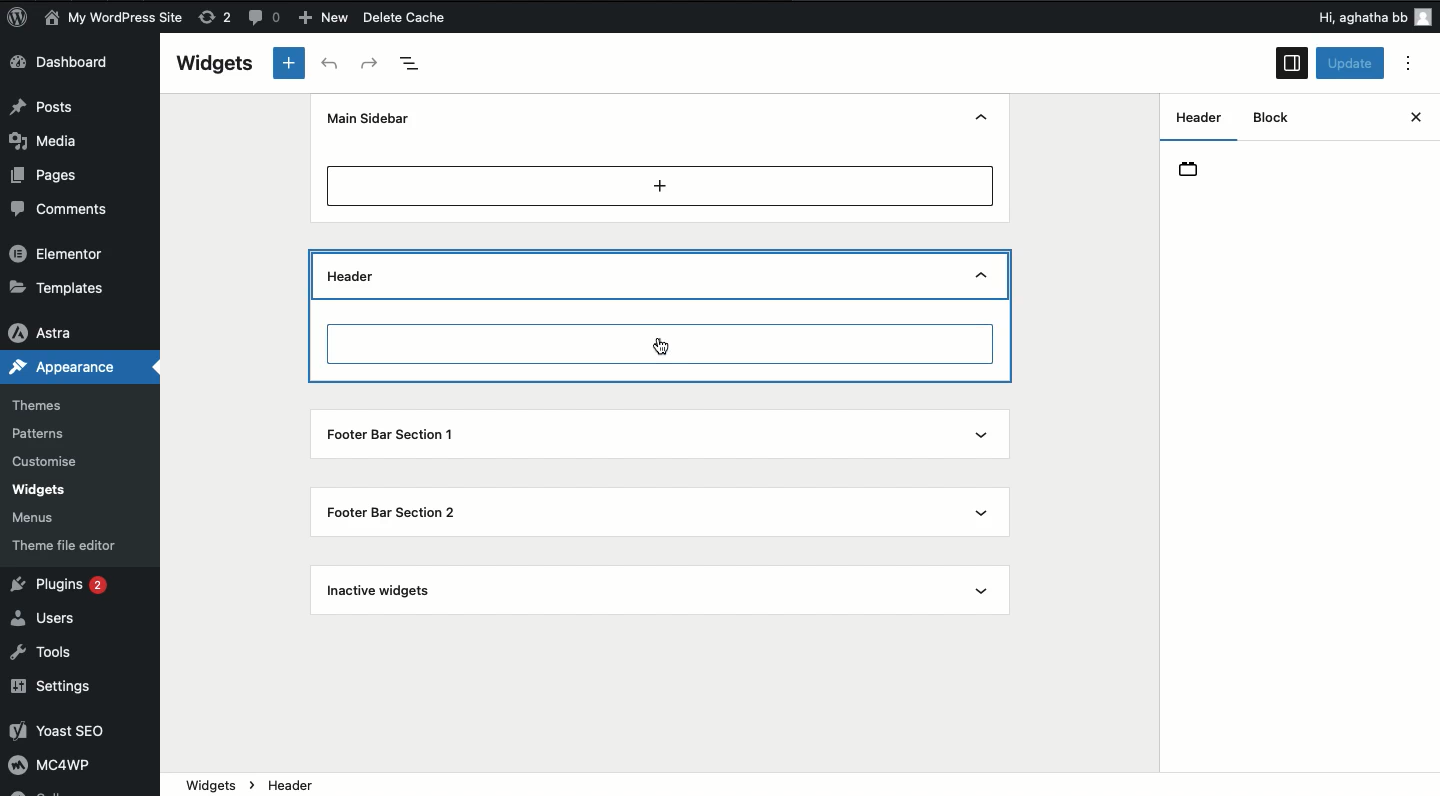 The image size is (1440, 796). What do you see at coordinates (1390, 118) in the screenshot?
I see `Close` at bounding box center [1390, 118].